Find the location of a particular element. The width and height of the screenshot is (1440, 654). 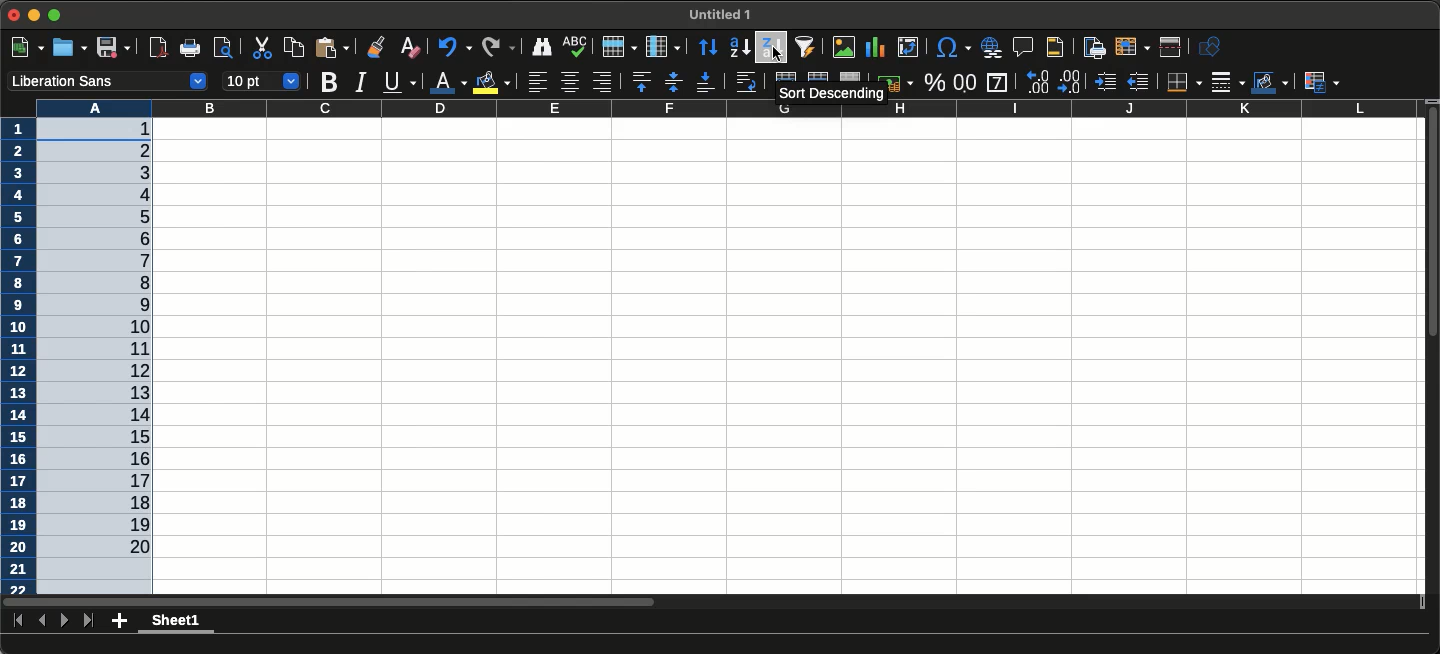

19 is located at coordinates (139, 523).